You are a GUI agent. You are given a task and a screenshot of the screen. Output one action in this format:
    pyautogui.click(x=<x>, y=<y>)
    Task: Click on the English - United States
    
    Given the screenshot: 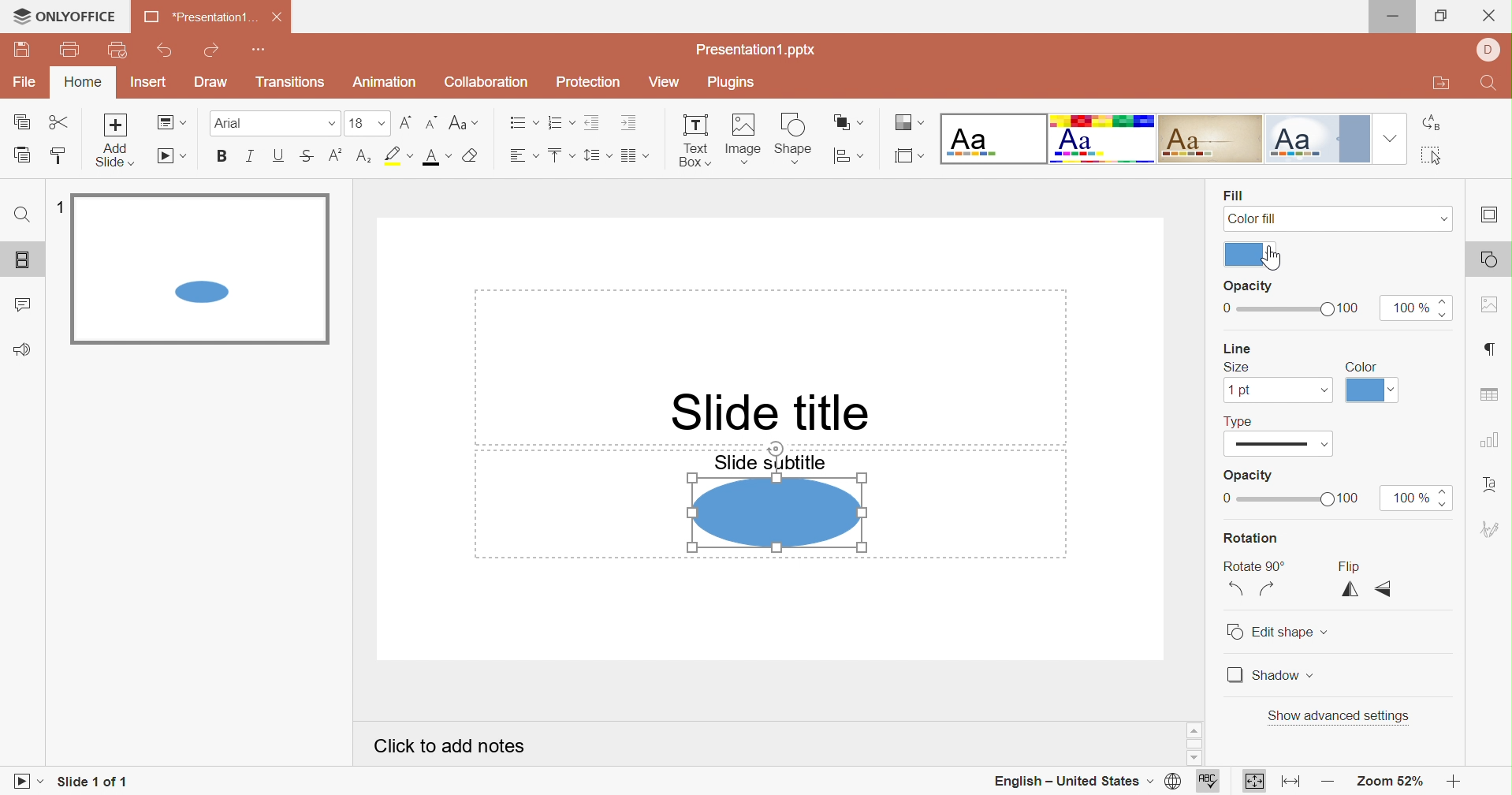 What is the action you would take?
    pyautogui.click(x=1069, y=781)
    